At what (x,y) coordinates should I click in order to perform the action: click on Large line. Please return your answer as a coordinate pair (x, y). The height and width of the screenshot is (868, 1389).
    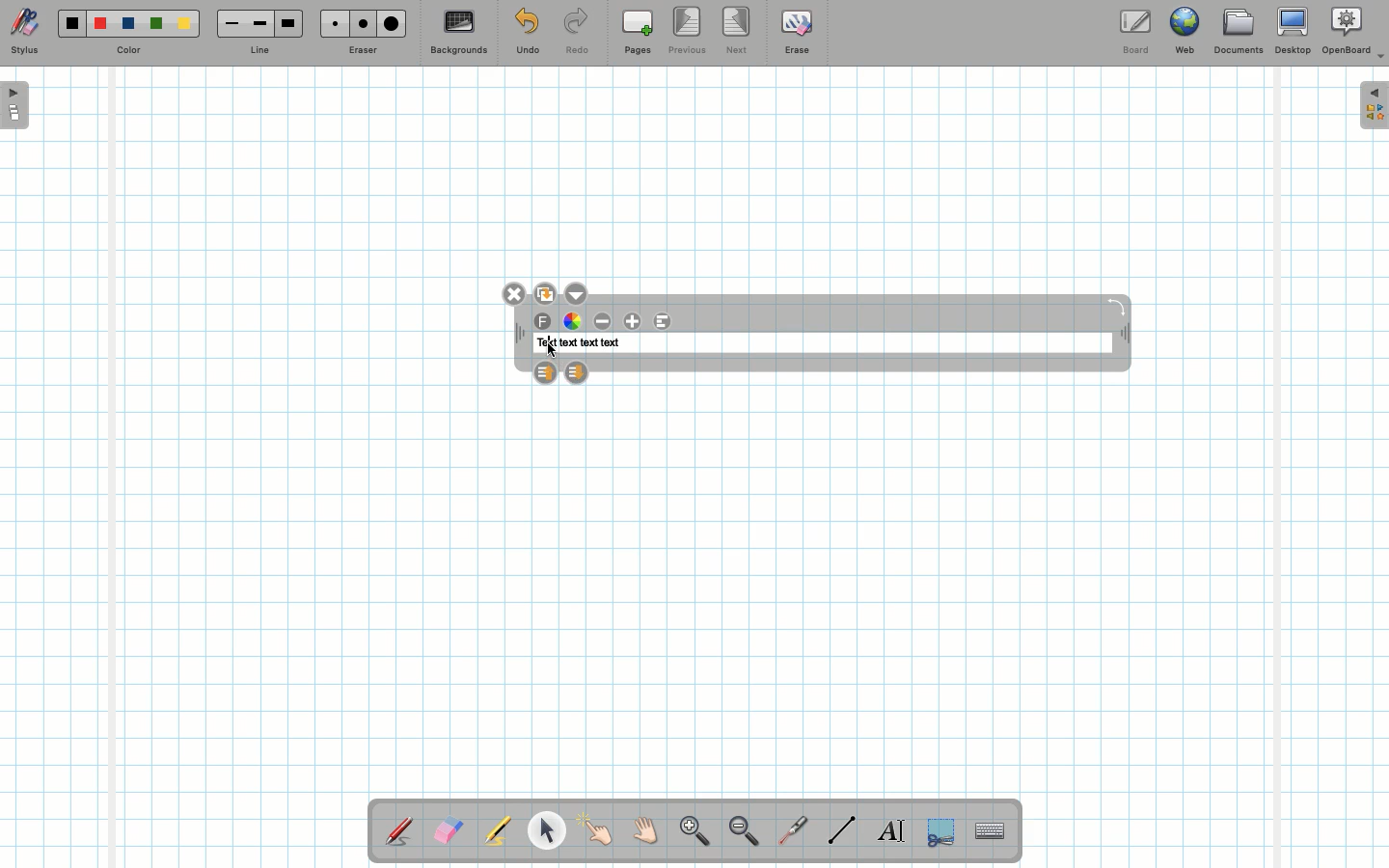
    Looking at the image, I should click on (289, 23).